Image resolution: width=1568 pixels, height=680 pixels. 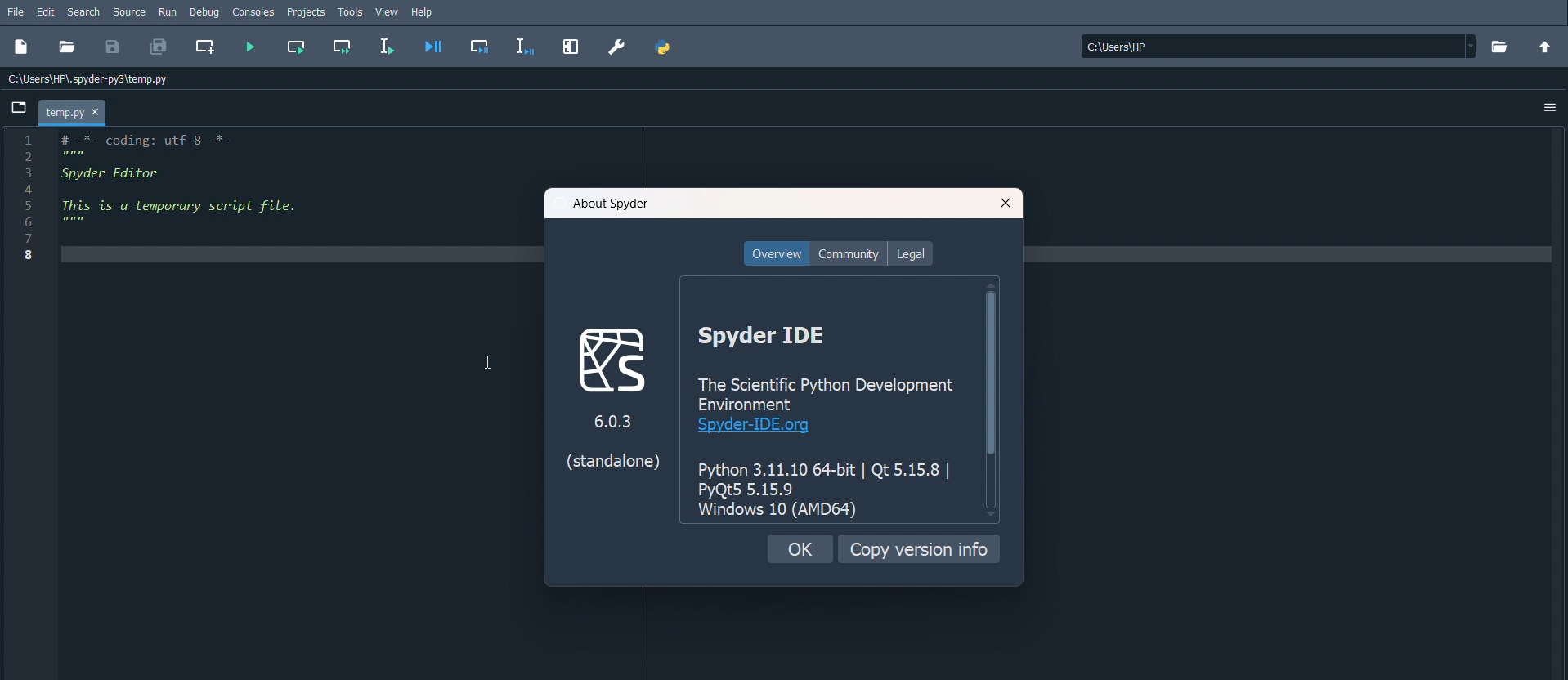 I want to click on Run, so click(x=167, y=11).